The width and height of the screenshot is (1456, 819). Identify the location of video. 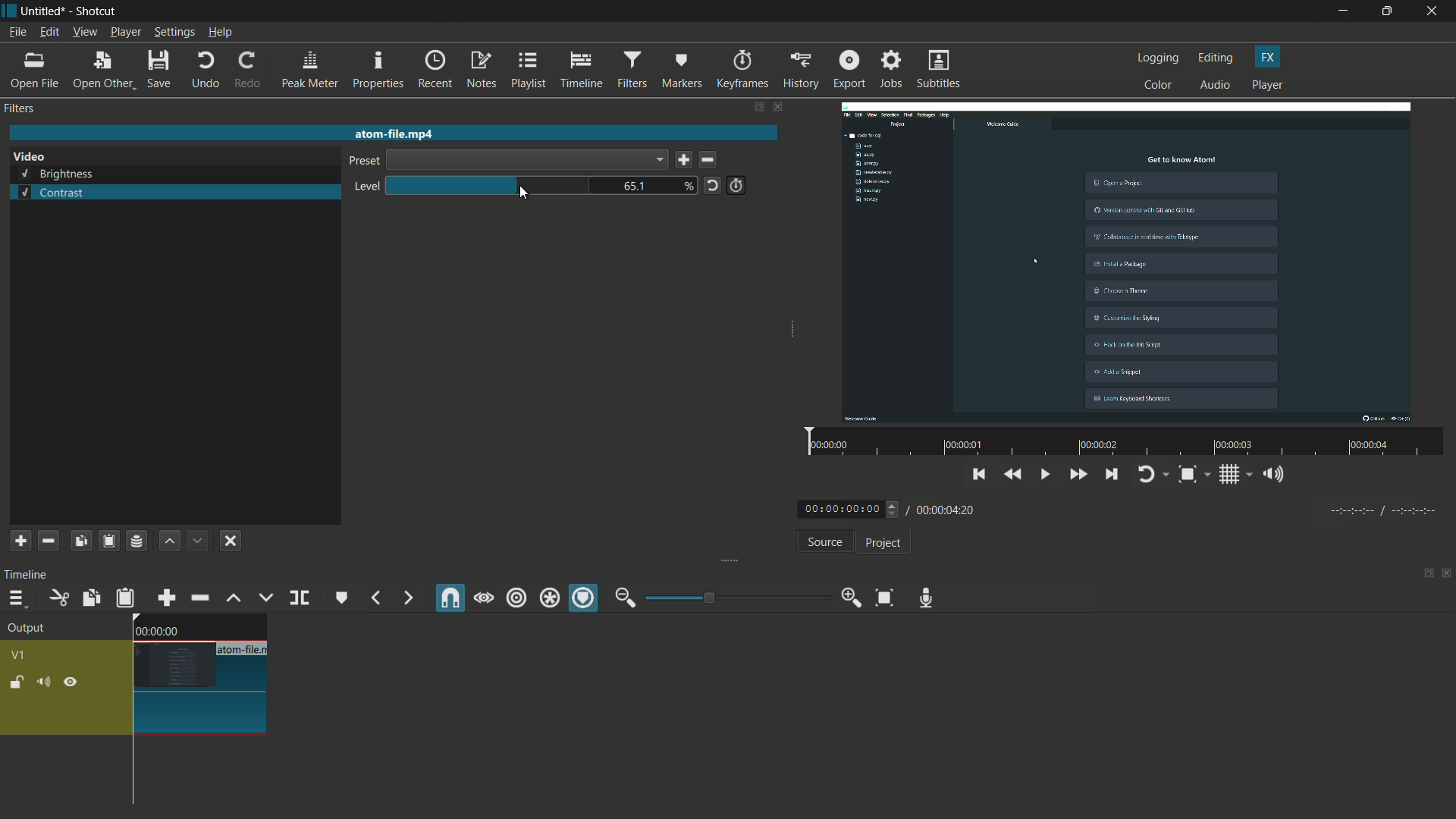
(1131, 259).